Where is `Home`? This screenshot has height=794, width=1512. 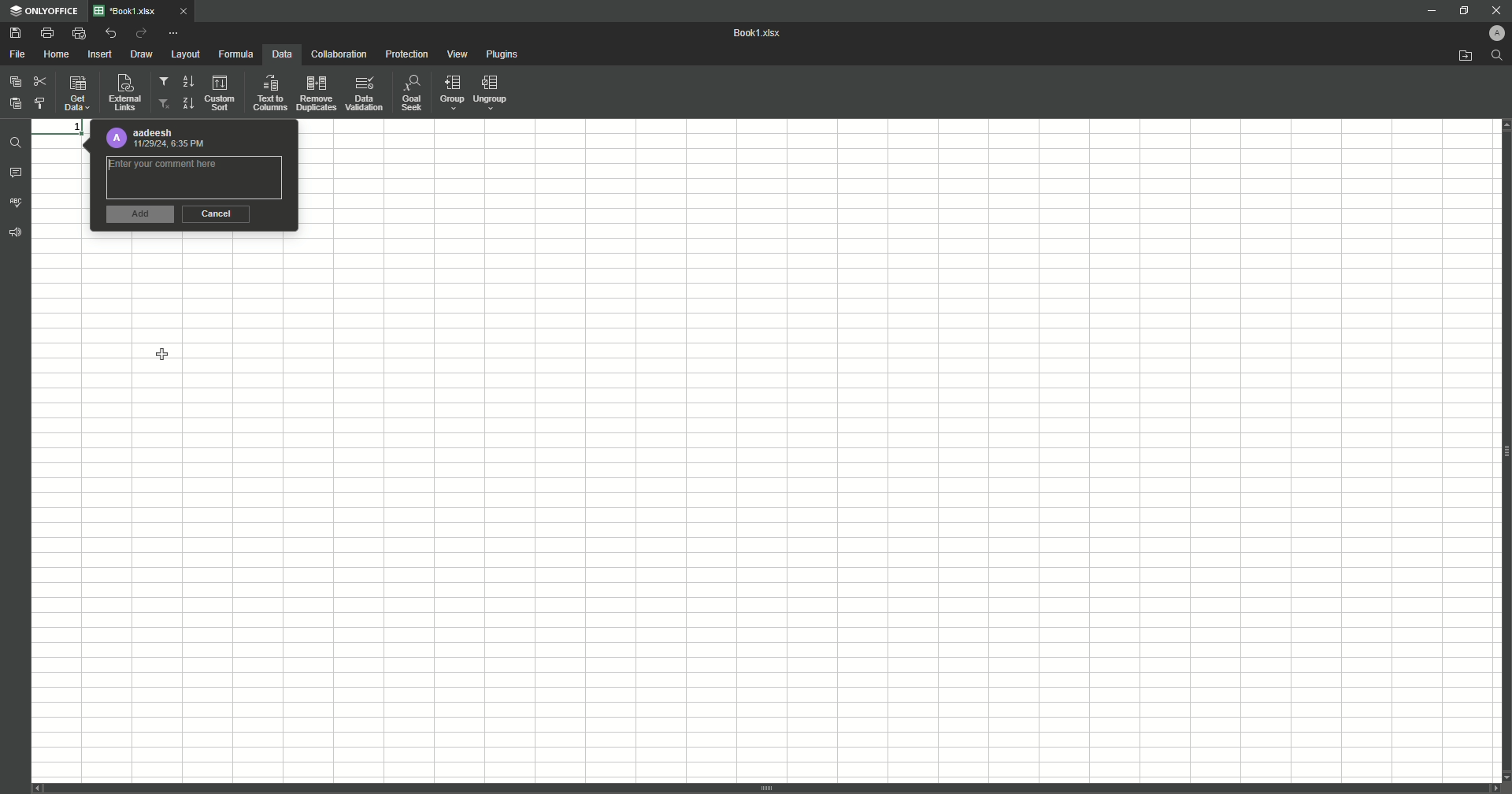
Home is located at coordinates (58, 54).